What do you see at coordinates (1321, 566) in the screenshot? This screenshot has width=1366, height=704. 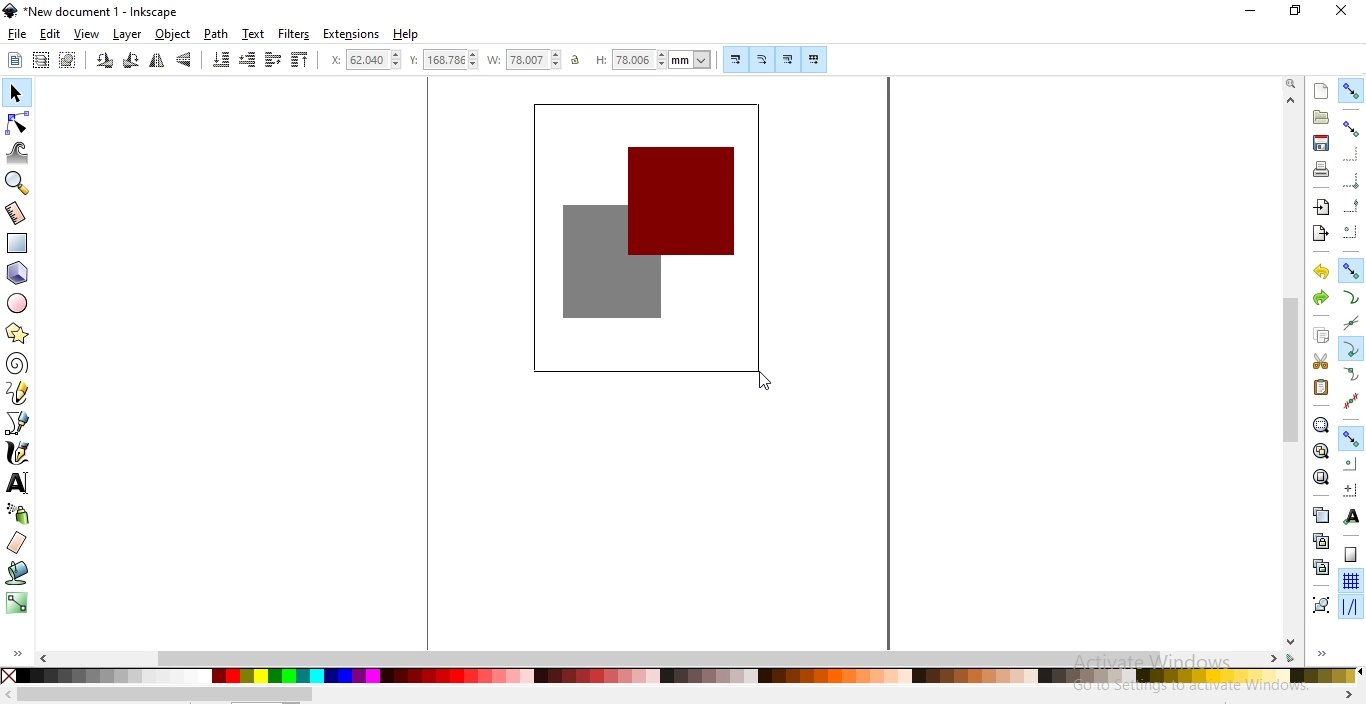 I see `cut the selected clones` at bounding box center [1321, 566].